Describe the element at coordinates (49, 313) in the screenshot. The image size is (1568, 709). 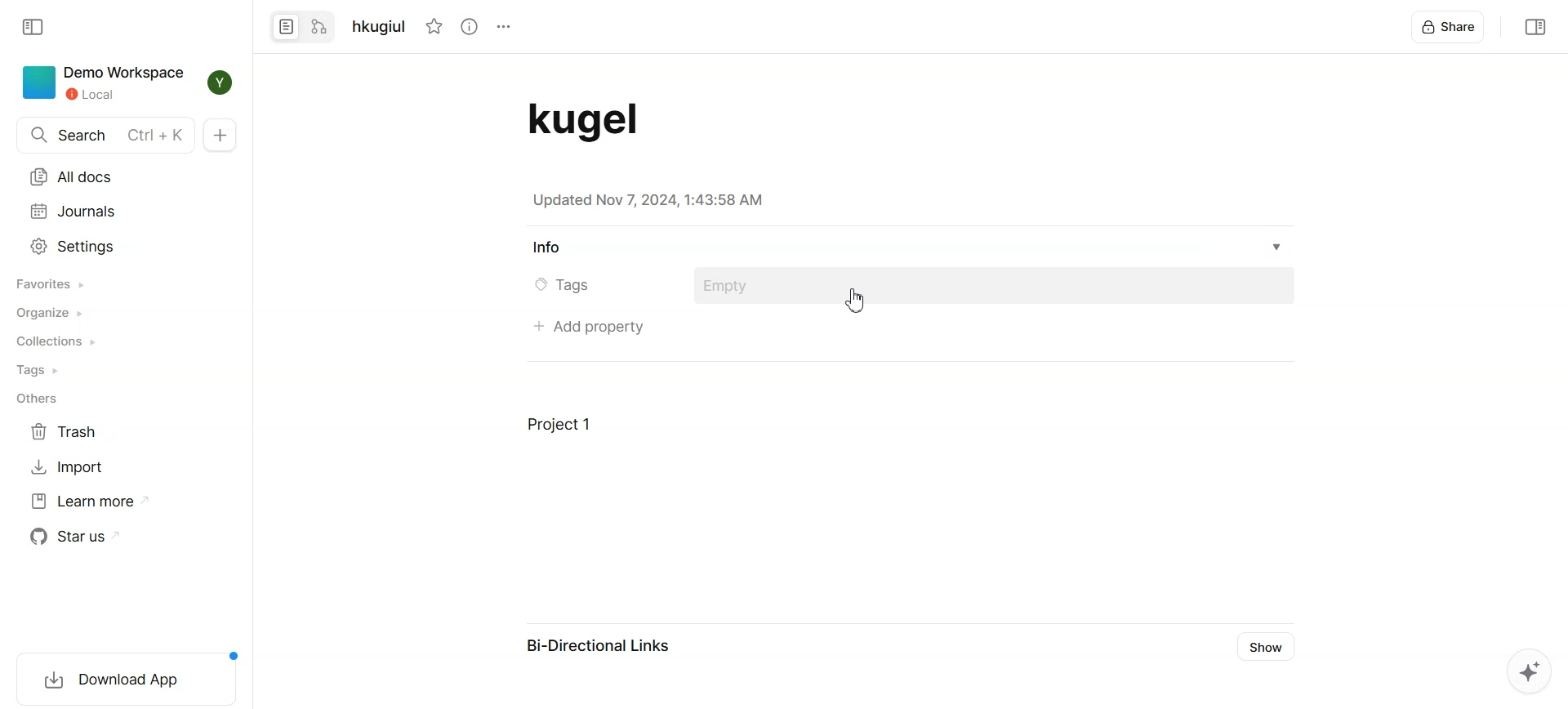
I see `Organize` at that location.